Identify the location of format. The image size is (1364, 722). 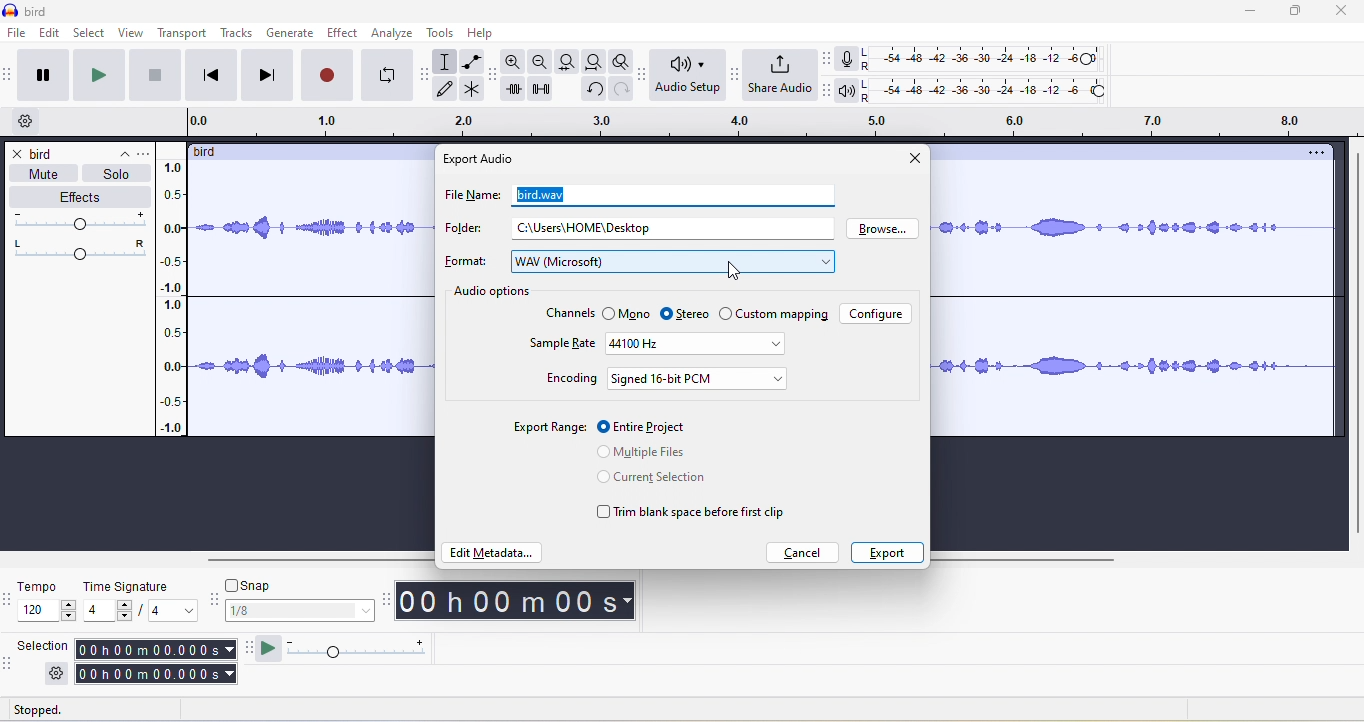
(468, 263).